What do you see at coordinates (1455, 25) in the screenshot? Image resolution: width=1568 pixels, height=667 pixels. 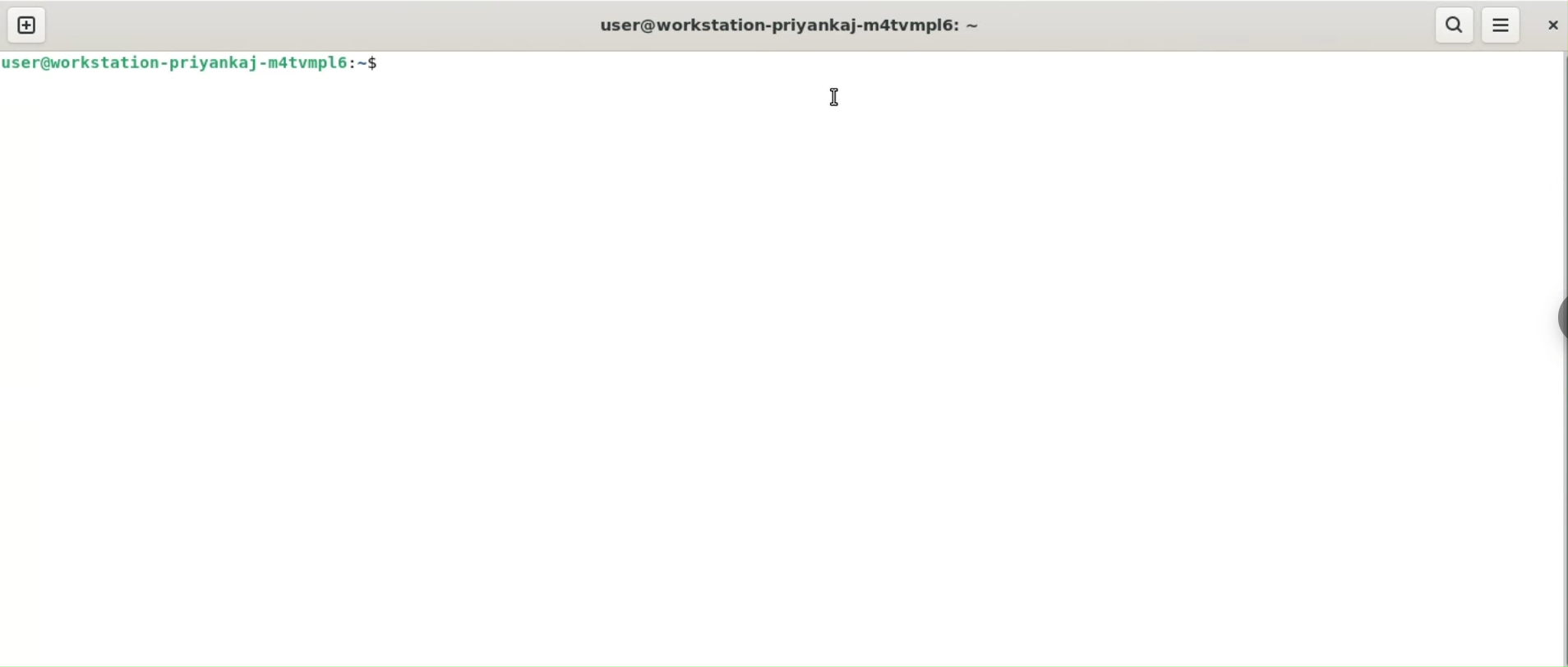 I see `search` at bounding box center [1455, 25].